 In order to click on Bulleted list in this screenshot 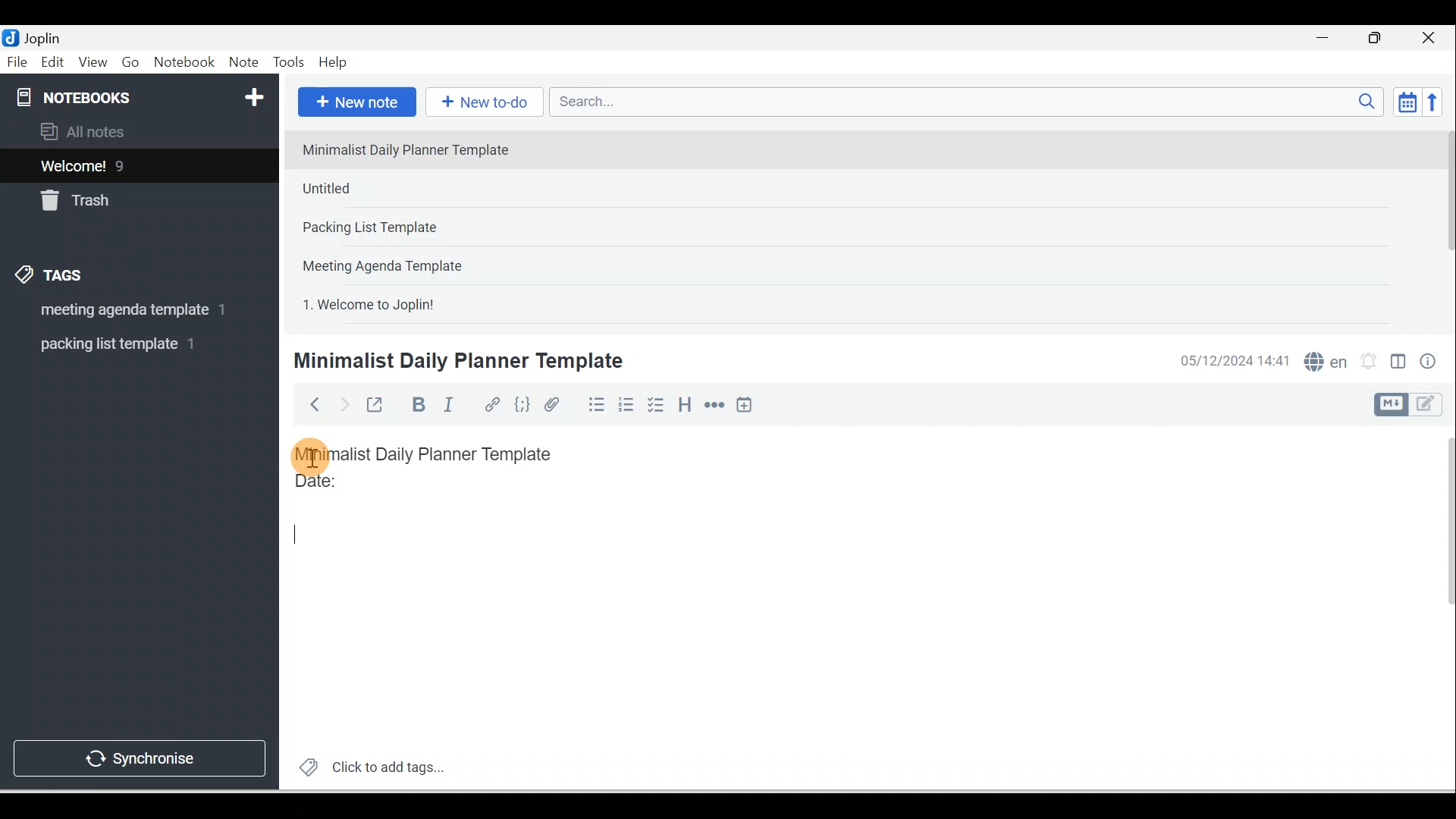, I will do `click(593, 404)`.